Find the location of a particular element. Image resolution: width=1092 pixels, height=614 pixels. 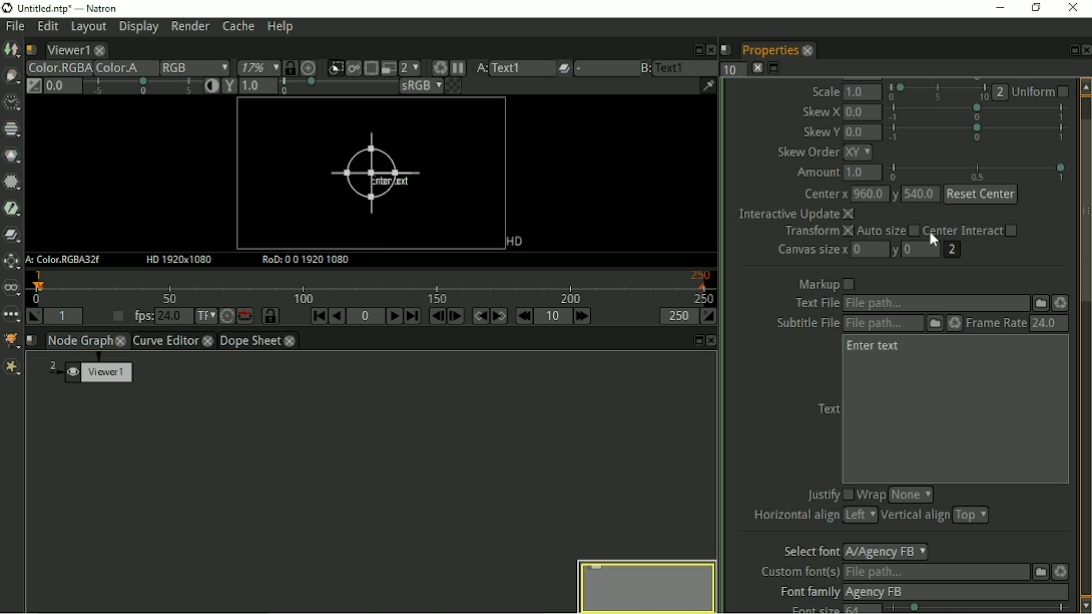

Time is located at coordinates (11, 103).